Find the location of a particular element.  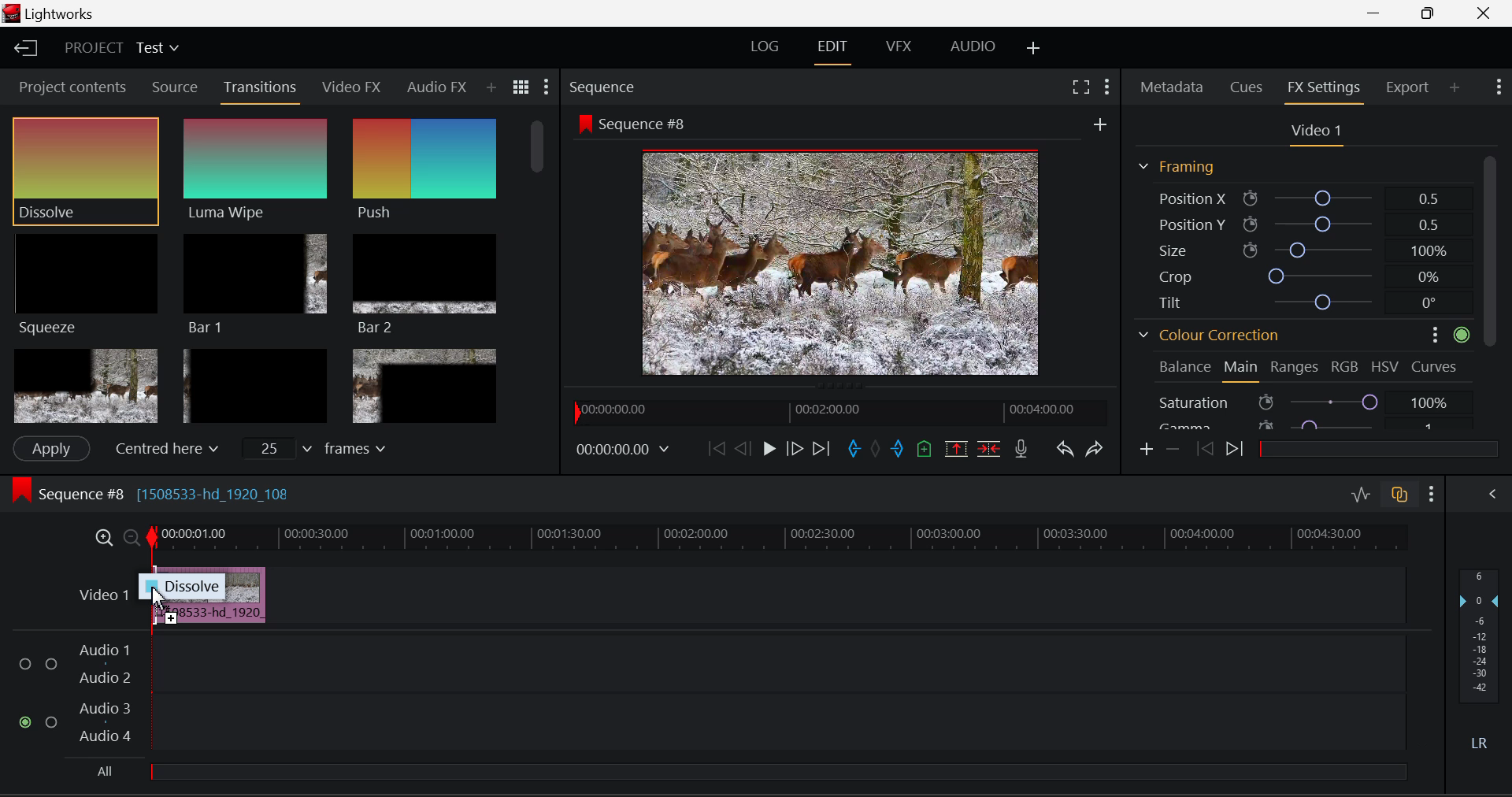

Squeeze is located at coordinates (86, 284).